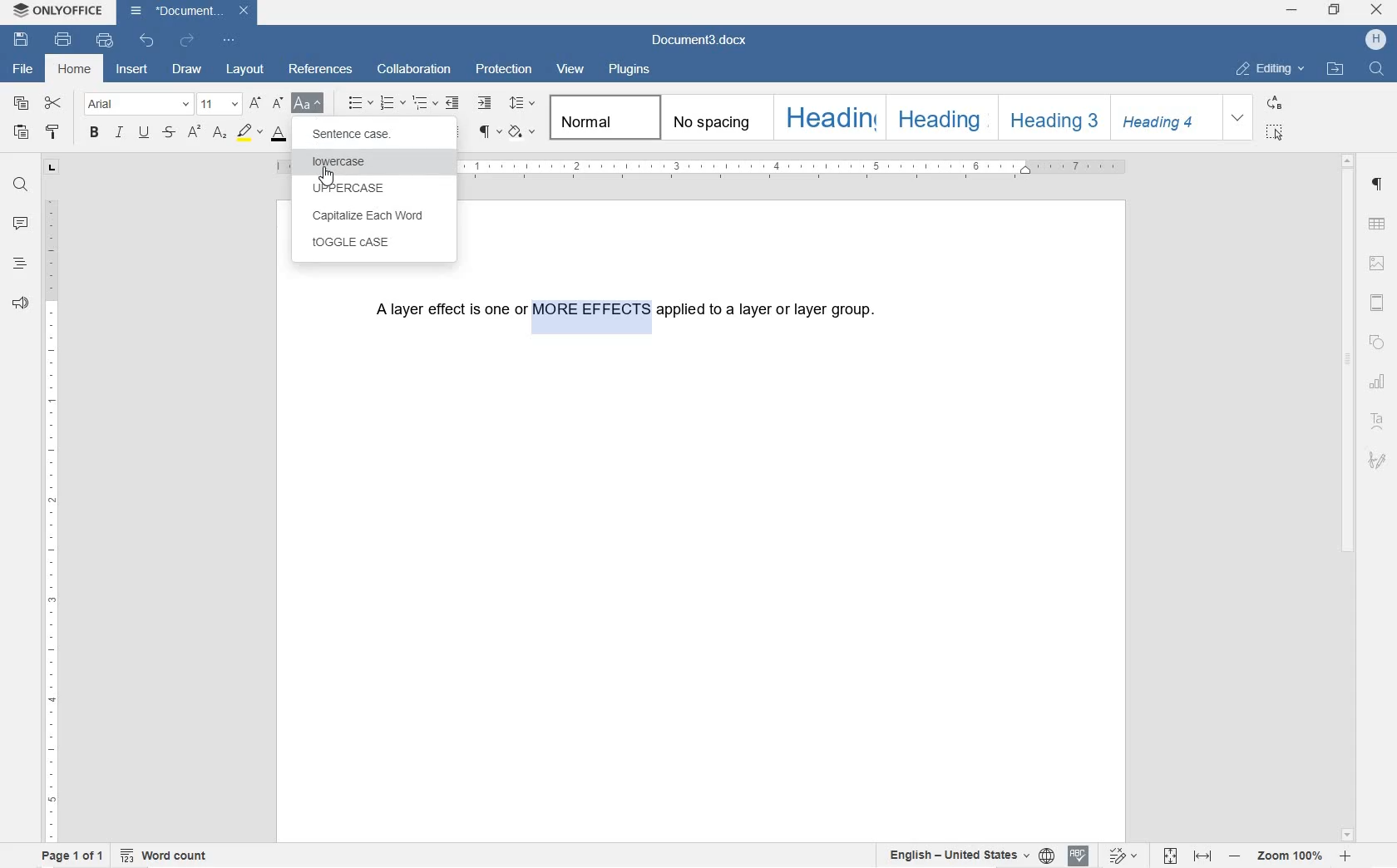 This screenshot has width=1397, height=868. Describe the element at coordinates (570, 70) in the screenshot. I see `VIEW` at that location.